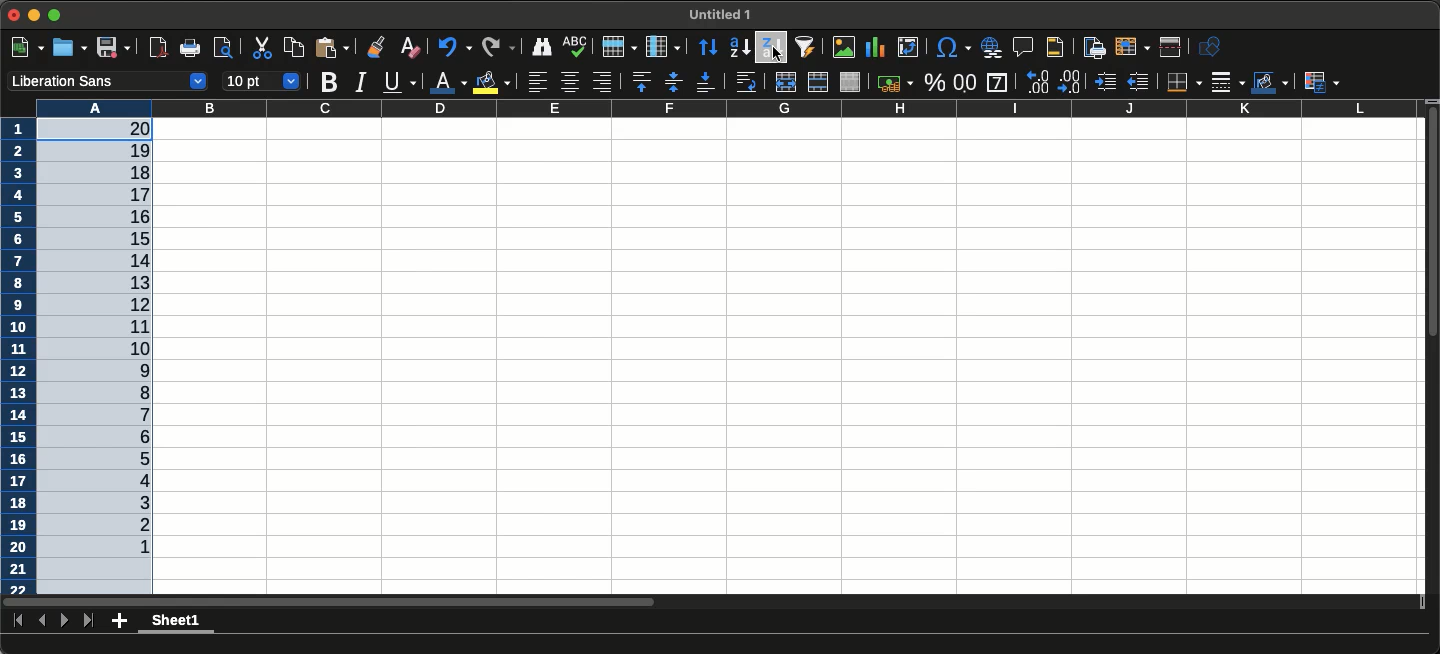 This screenshot has height=654, width=1440. Describe the element at coordinates (991, 47) in the screenshot. I see `Insert hyperlink` at that location.